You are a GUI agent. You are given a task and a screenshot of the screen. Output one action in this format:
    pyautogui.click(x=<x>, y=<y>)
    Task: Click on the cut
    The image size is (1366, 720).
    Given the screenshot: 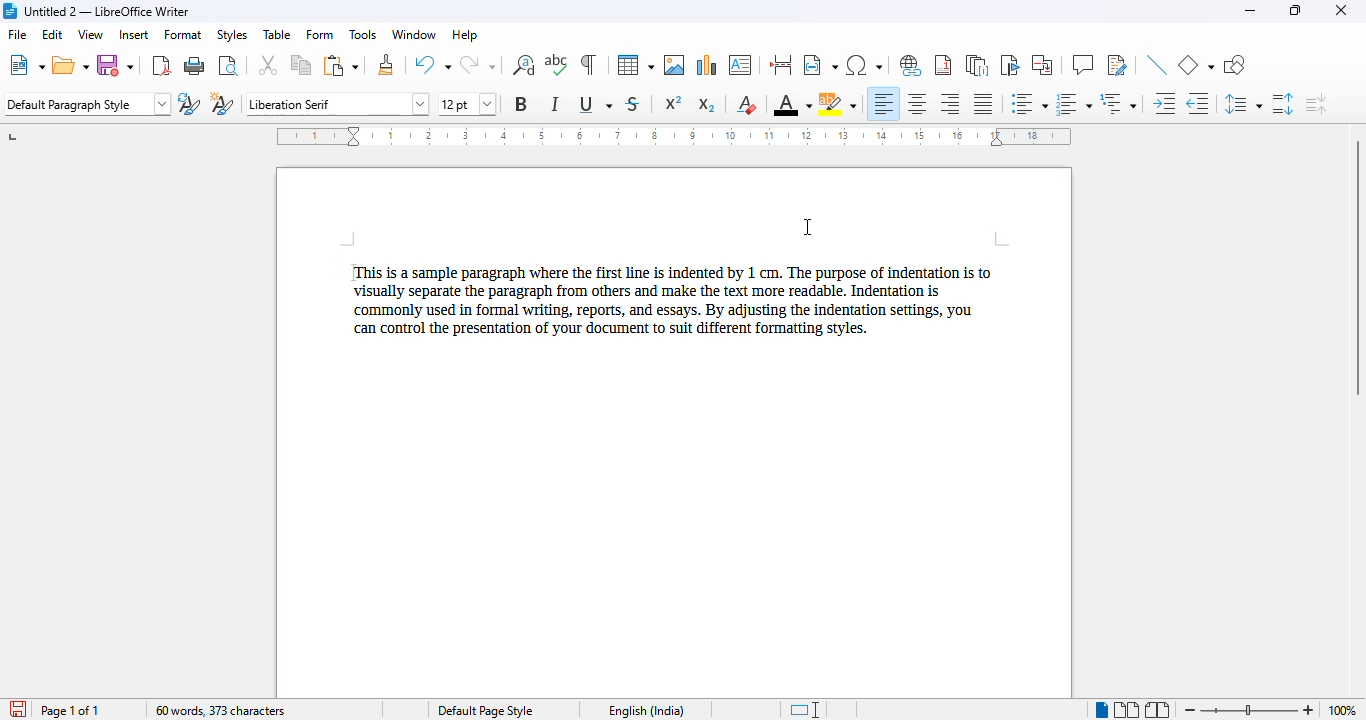 What is the action you would take?
    pyautogui.click(x=267, y=65)
    